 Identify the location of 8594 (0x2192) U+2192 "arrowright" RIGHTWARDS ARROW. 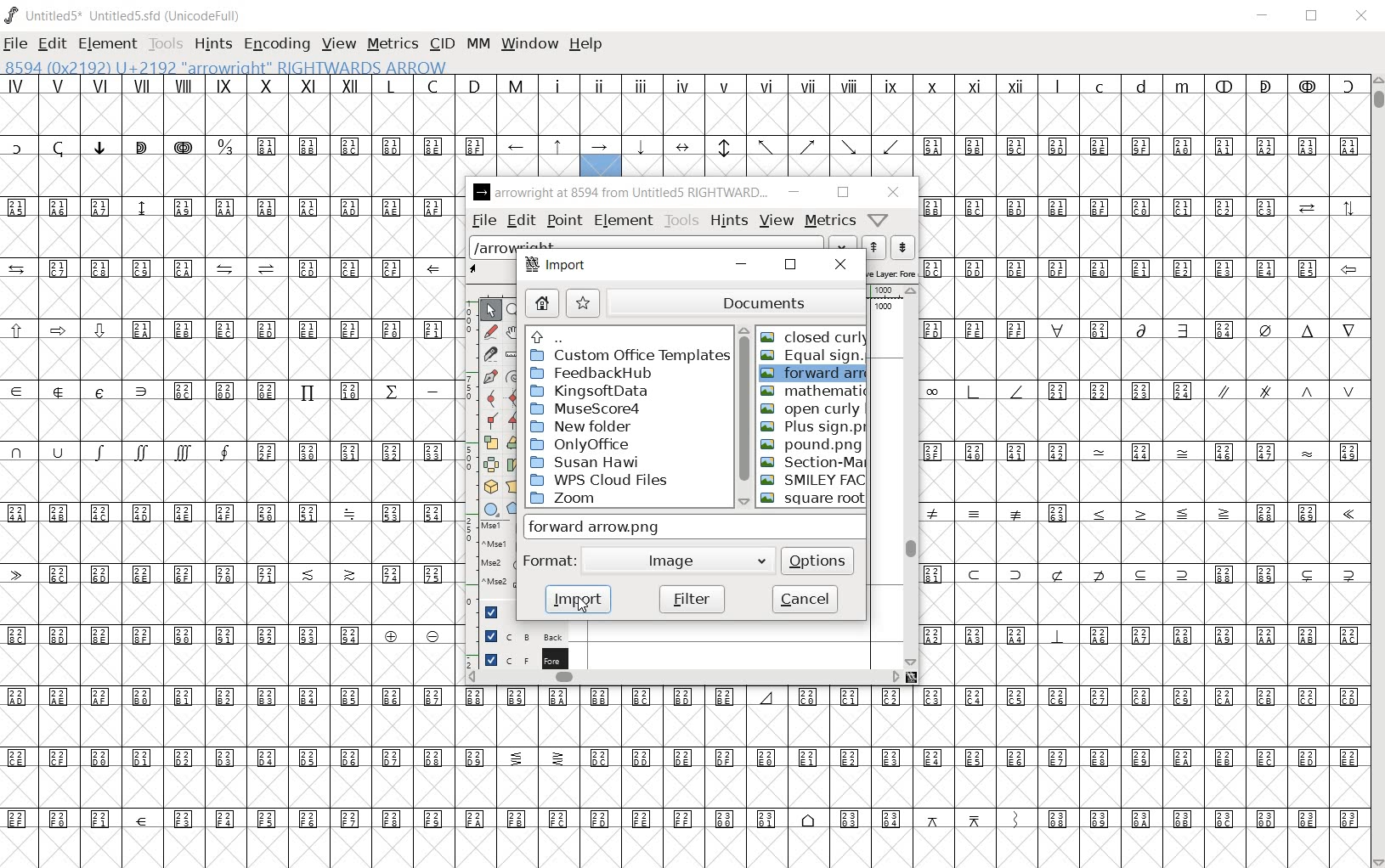
(601, 157).